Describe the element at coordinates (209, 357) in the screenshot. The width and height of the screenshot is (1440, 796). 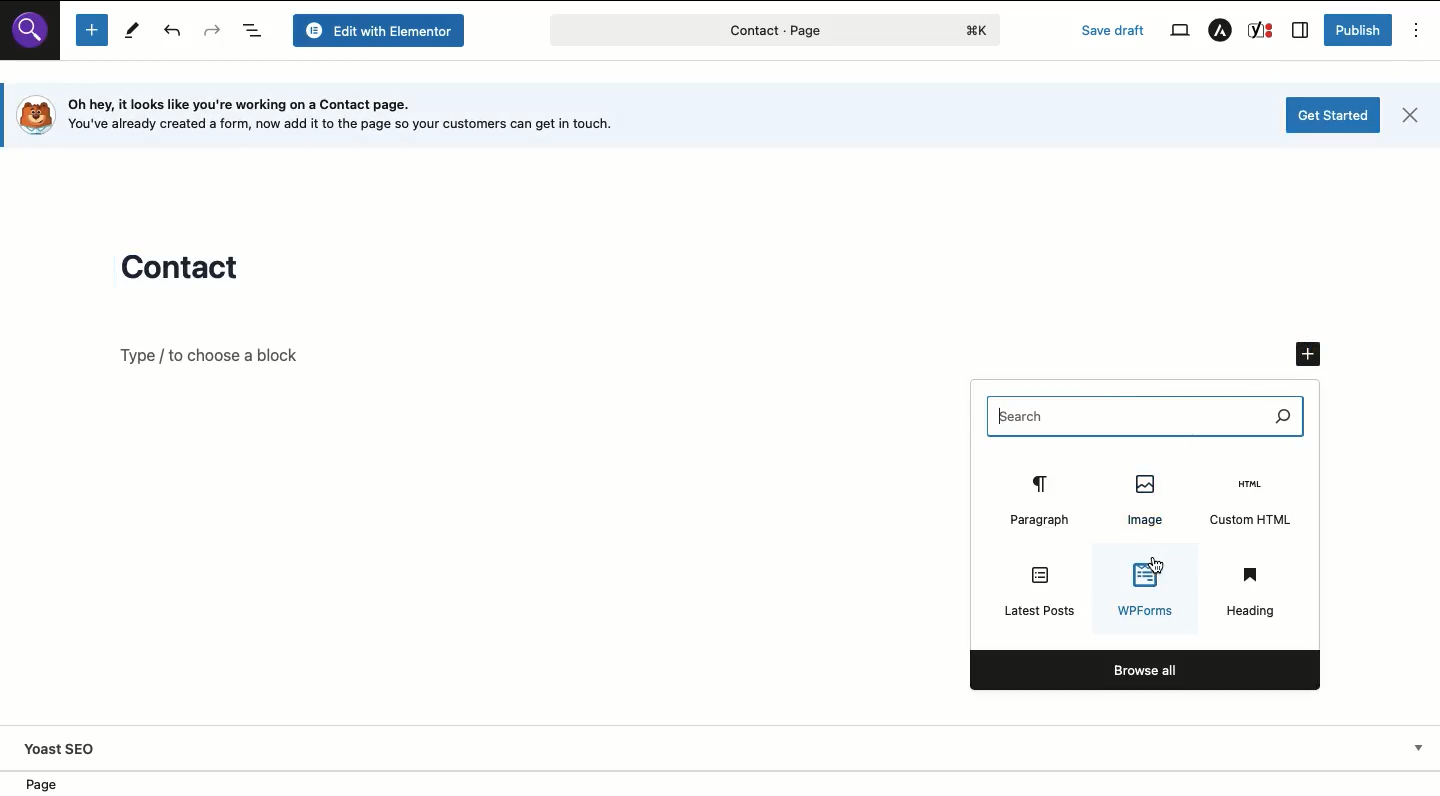
I see `Type / to choose a block` at that location.